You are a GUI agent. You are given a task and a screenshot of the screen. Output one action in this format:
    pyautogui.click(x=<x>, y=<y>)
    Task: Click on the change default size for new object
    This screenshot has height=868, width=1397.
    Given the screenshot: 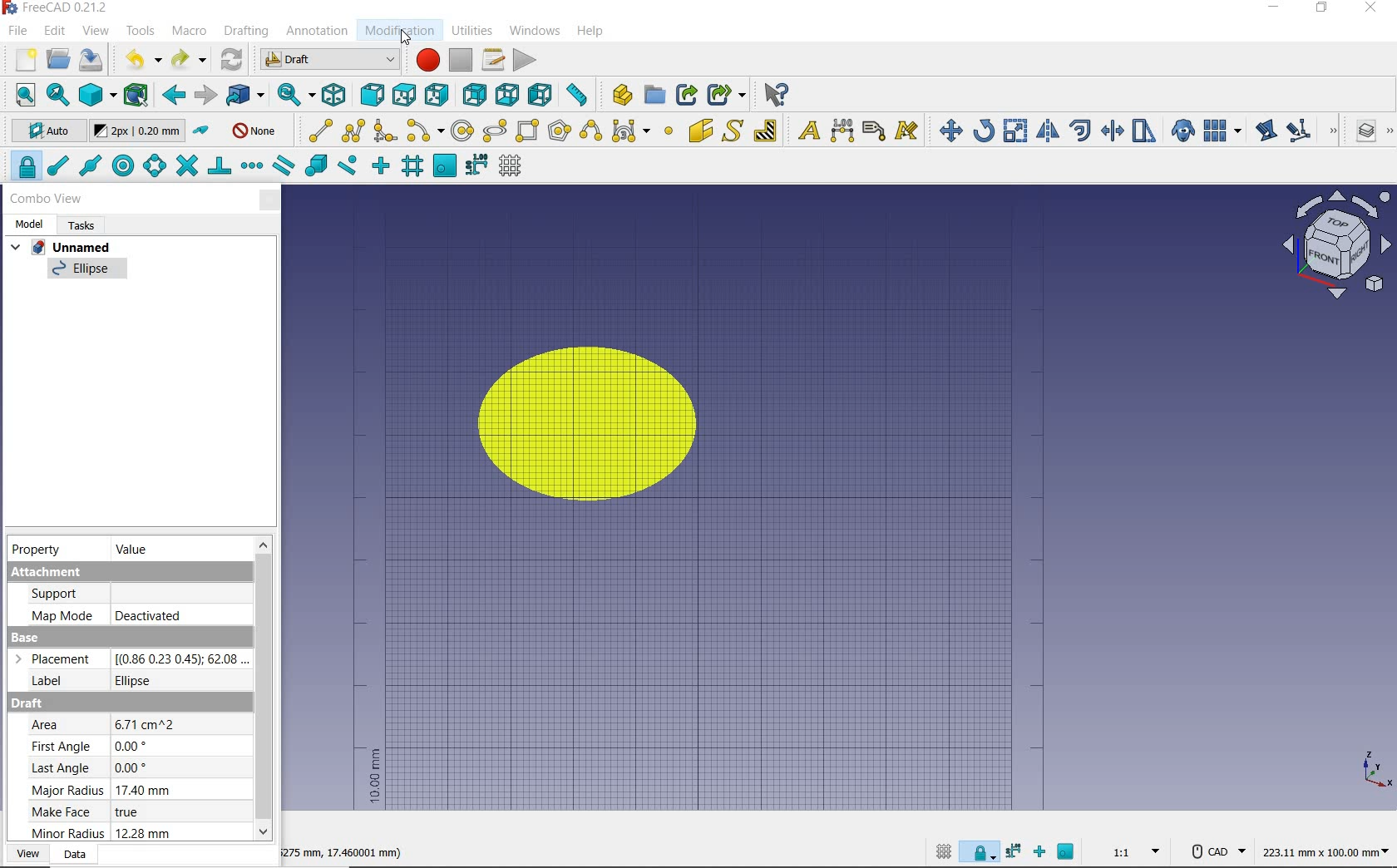 What is the action you would take?
    pyautogui.click(x=138, y=132)
    